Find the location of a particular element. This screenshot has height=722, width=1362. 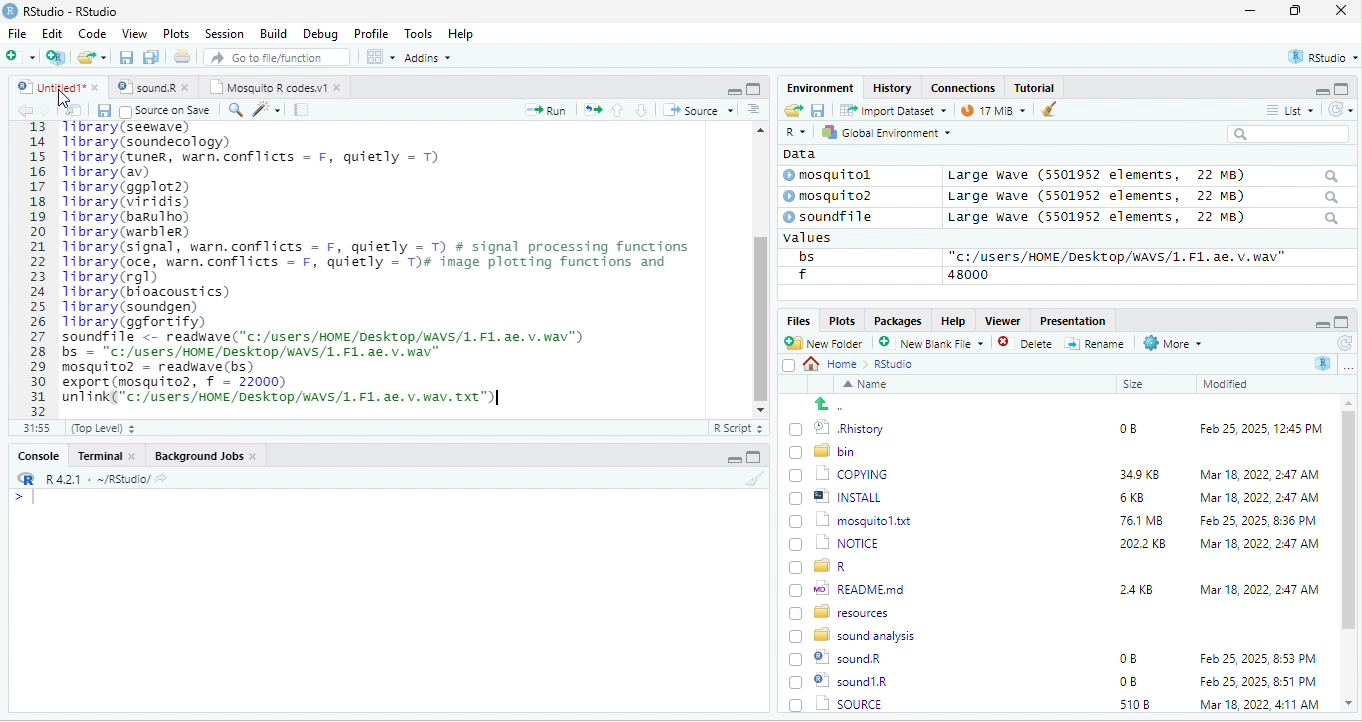

Environment is located at coordinates (820, 87).